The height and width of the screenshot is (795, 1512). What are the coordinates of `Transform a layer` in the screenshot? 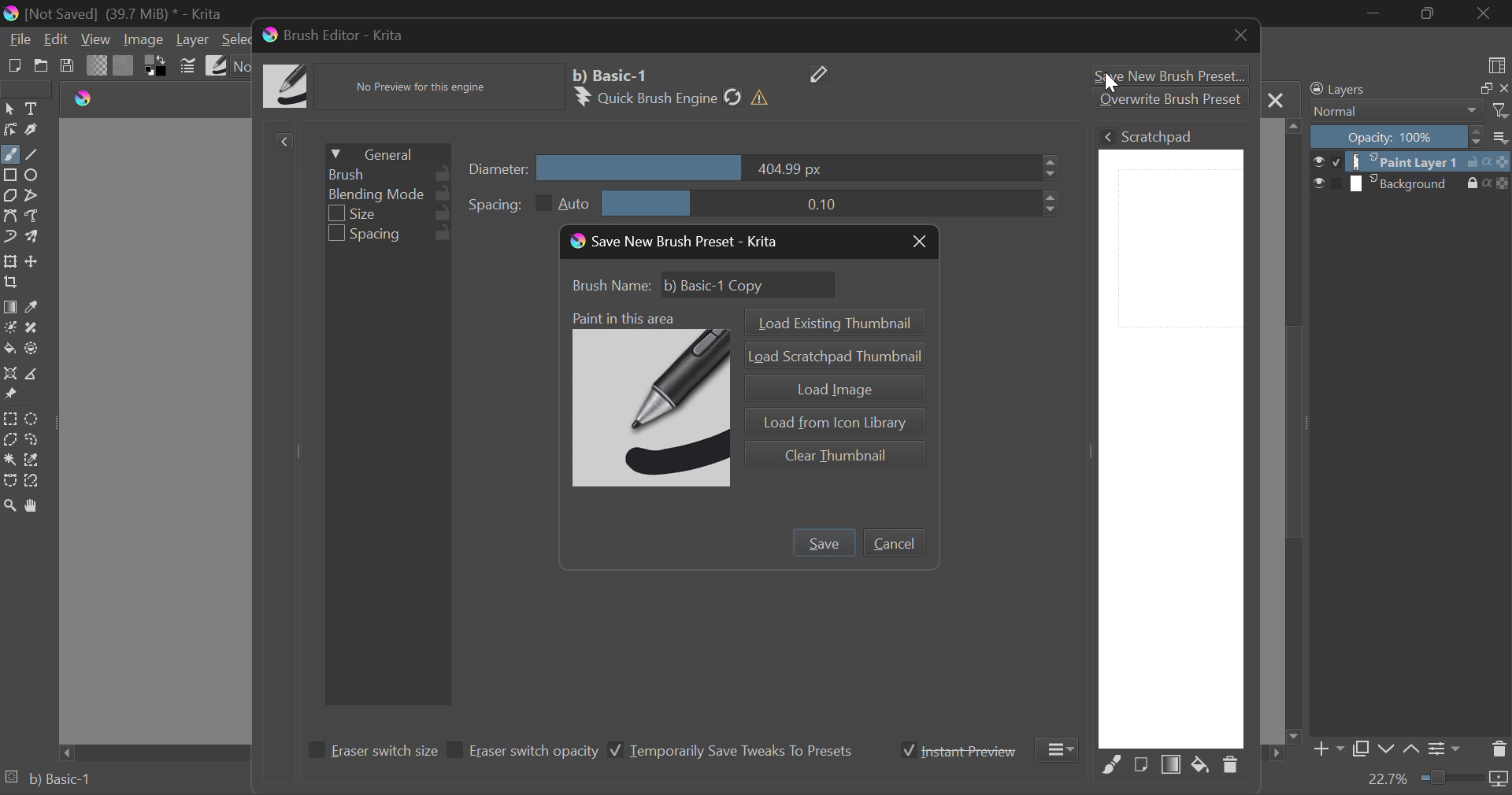 It's located at (9, 261).